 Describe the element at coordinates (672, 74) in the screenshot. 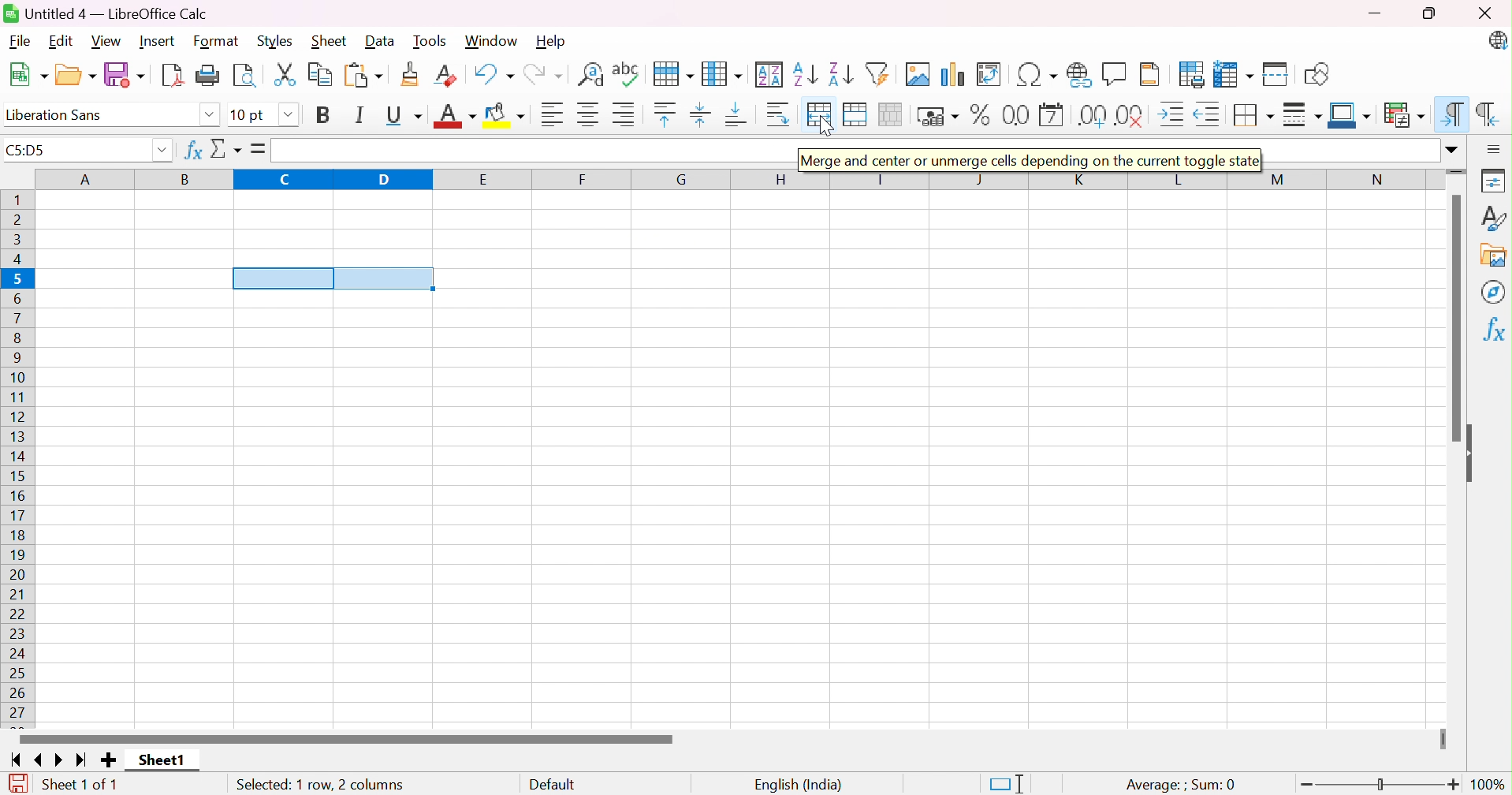

I see `Row` at that location.